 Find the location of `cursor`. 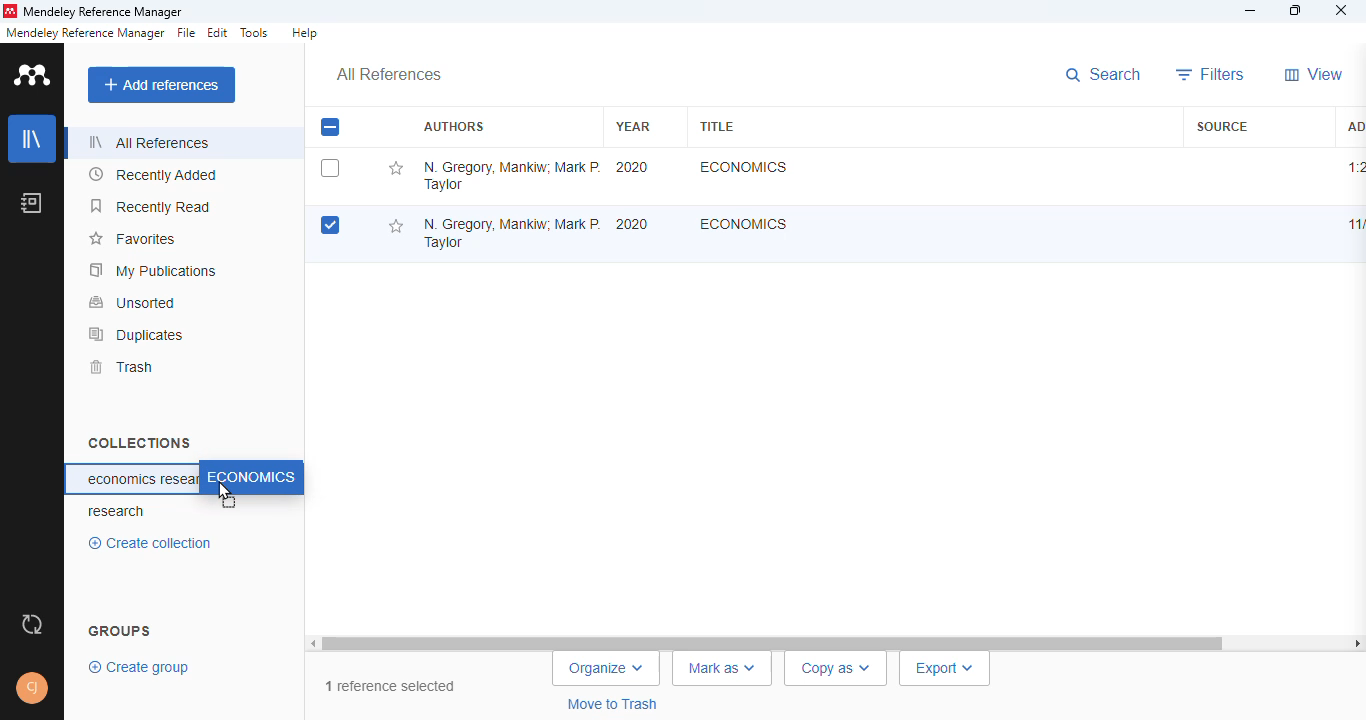

cursor is located at coordinates (228, 493).